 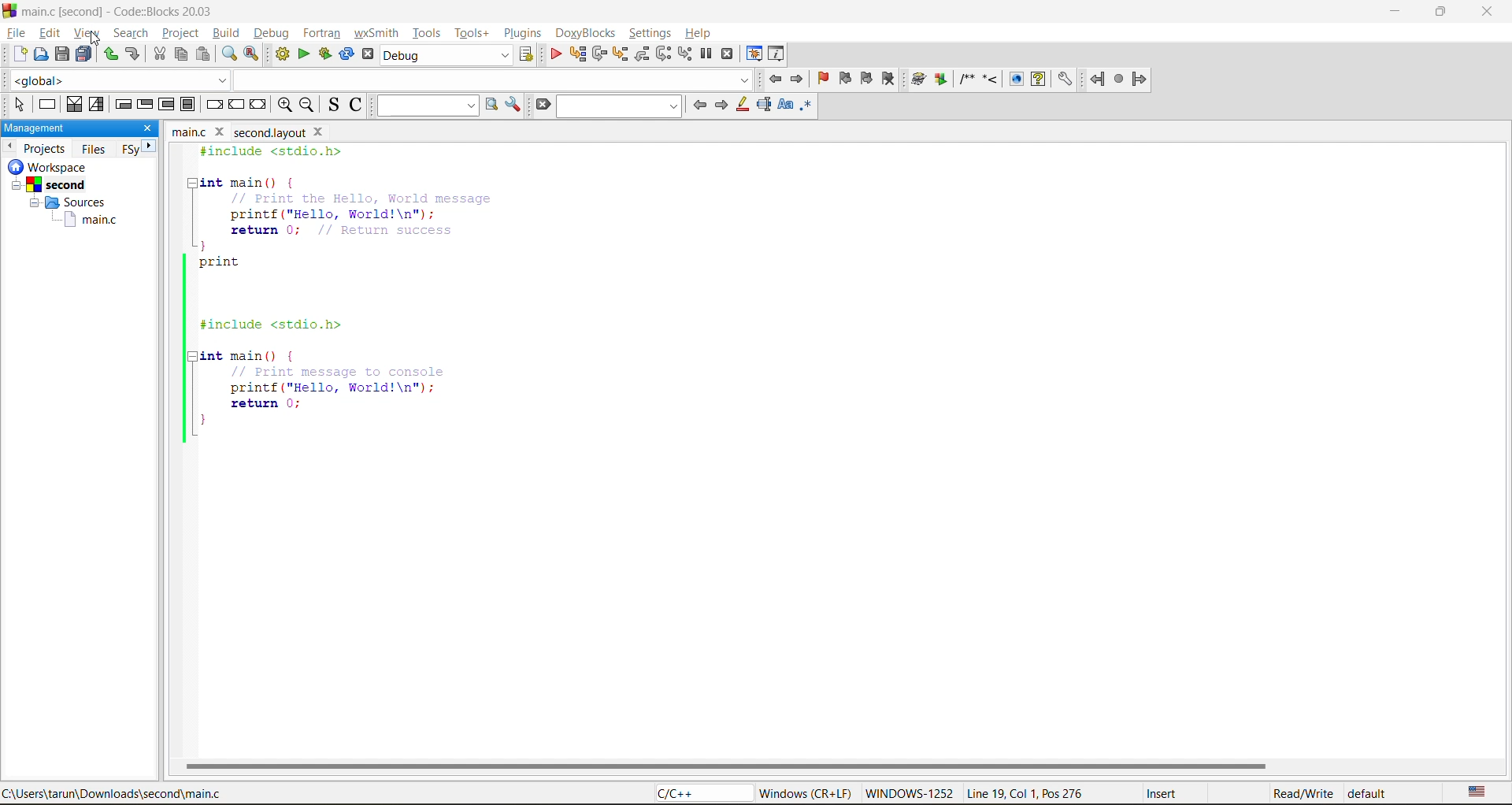 What do you see at coordinates (798, 78) in the screenshot?
I see `jump forward` at bounding box center [798, 78].